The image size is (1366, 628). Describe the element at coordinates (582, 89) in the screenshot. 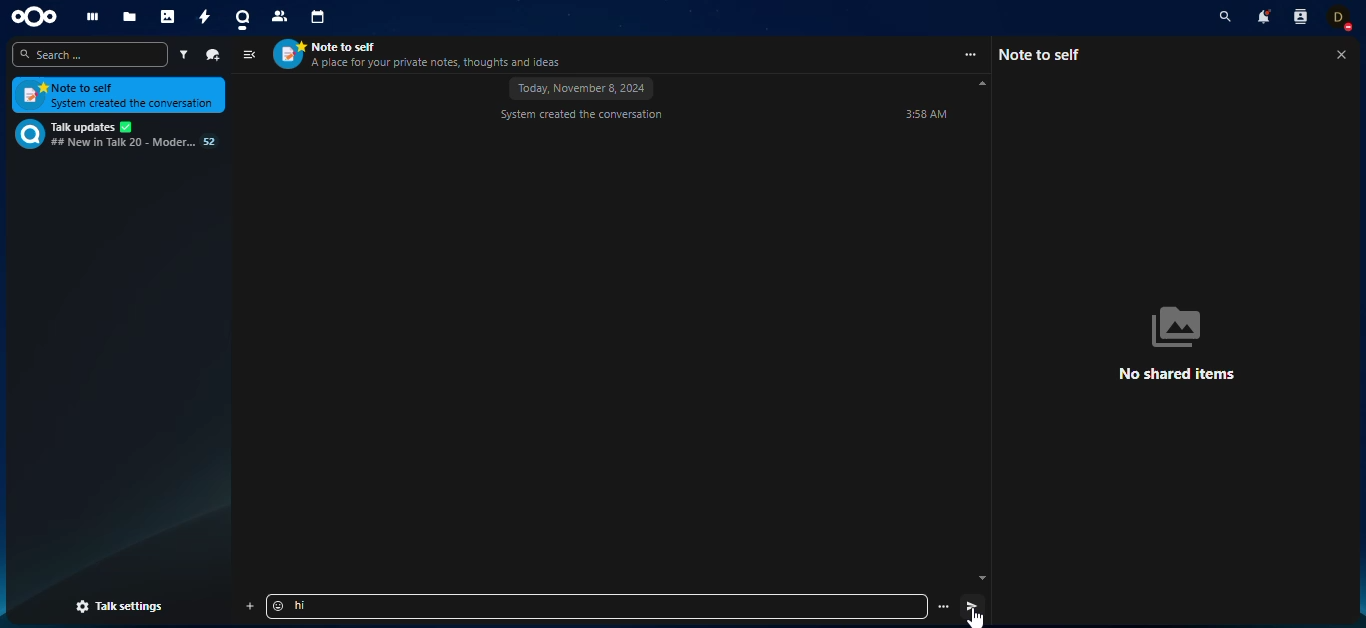

I see `november 8, 2024` at that location.